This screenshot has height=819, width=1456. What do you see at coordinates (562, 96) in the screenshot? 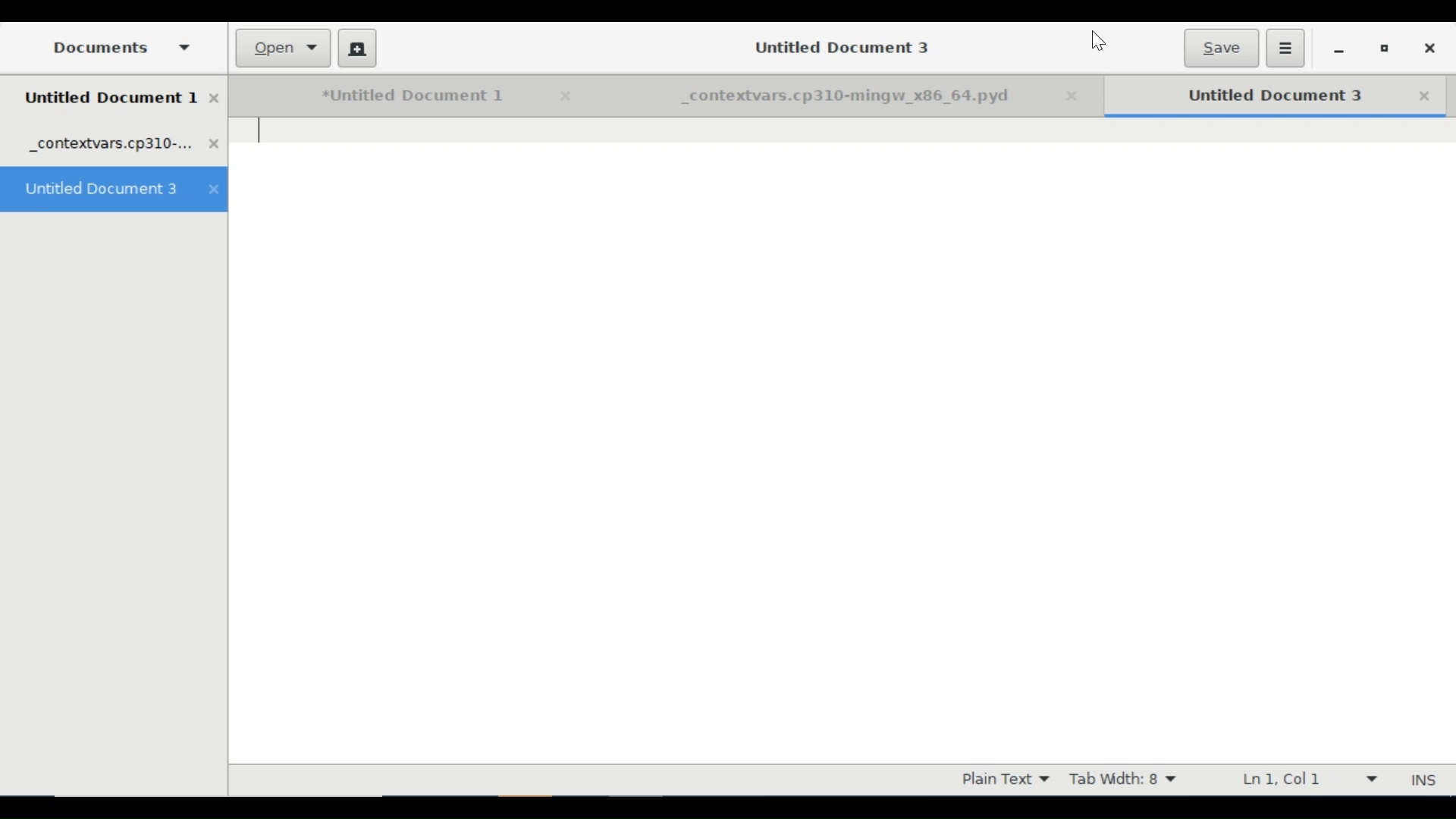
I see `Close` at bounding box center [562, 96].